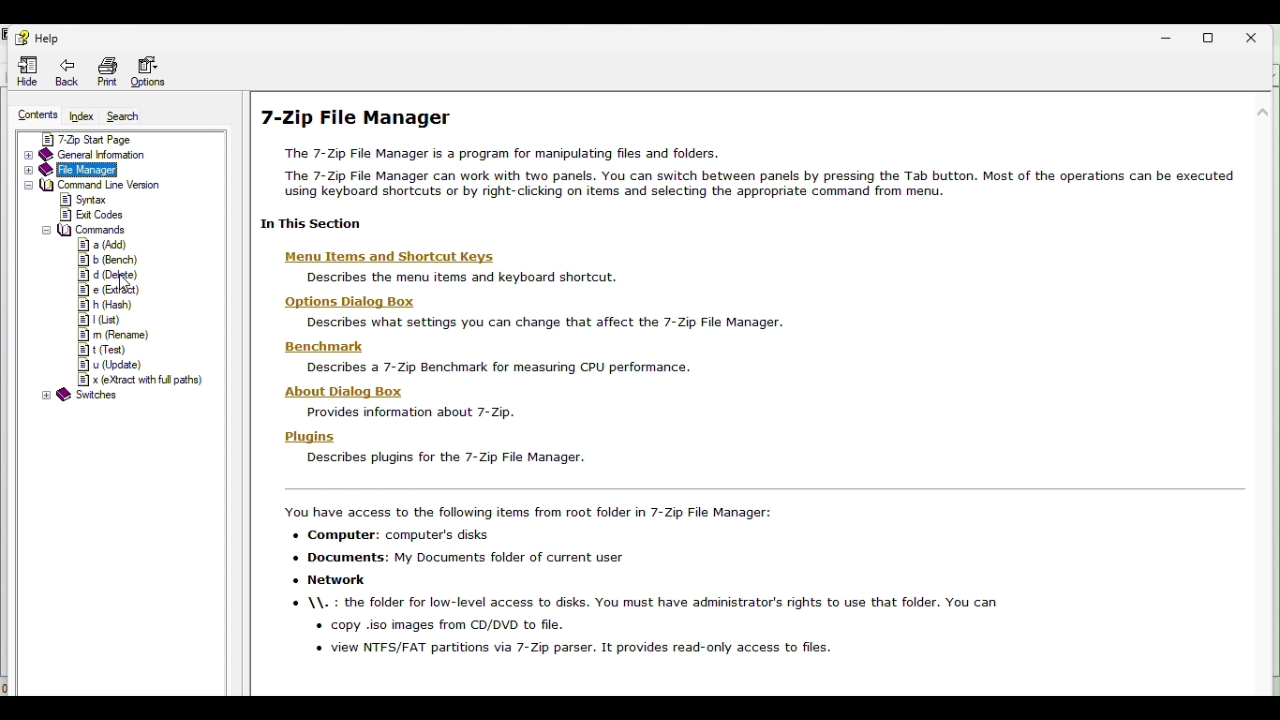 The image size is (1280, 720). What do you see at coordinates (307, 224) in the screenshot?
I see `| In This Section` at bounding box center [307, 224].